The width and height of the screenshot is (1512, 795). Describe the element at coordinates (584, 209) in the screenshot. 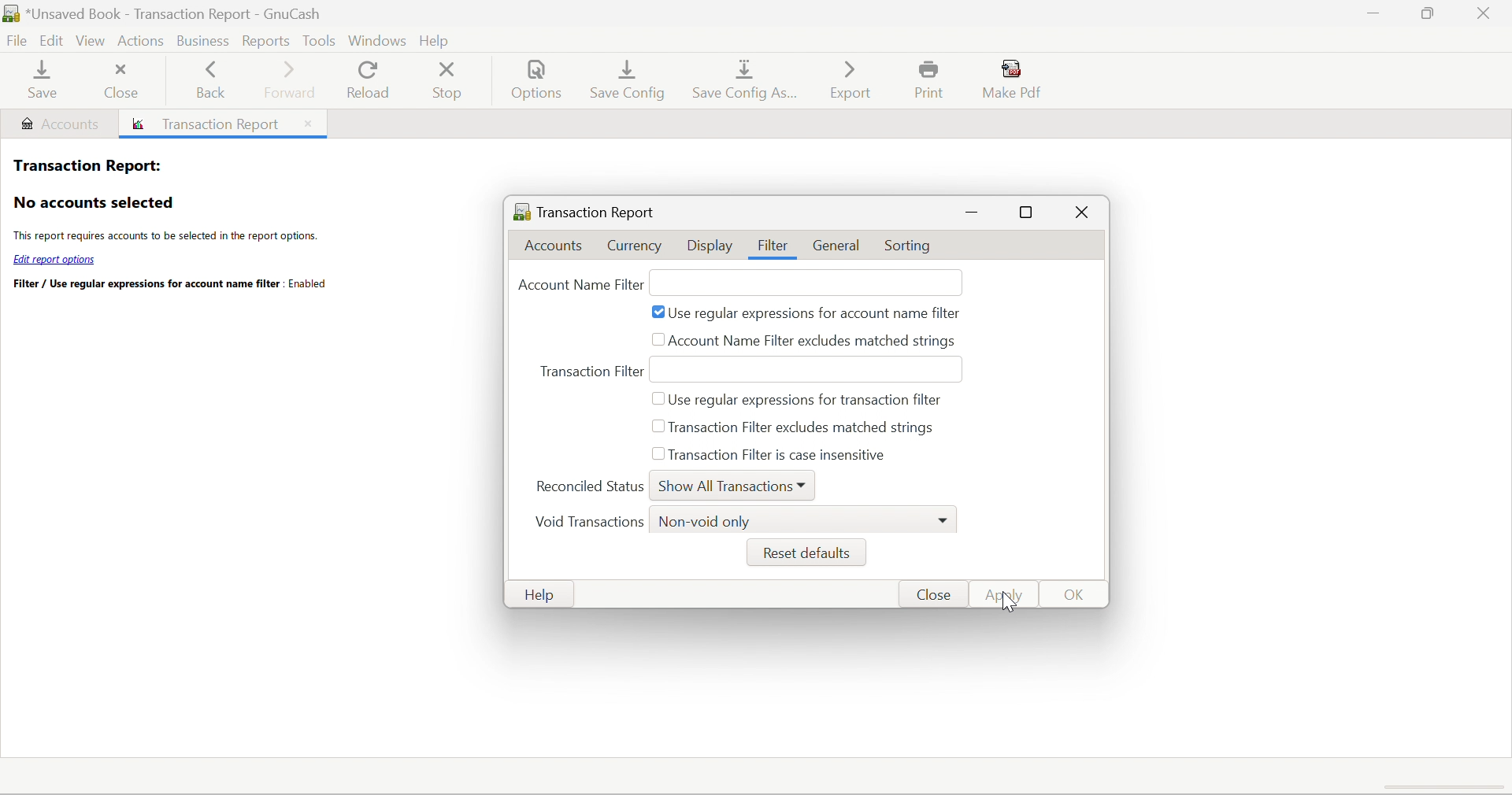

I see `Transaction Report` at that location.